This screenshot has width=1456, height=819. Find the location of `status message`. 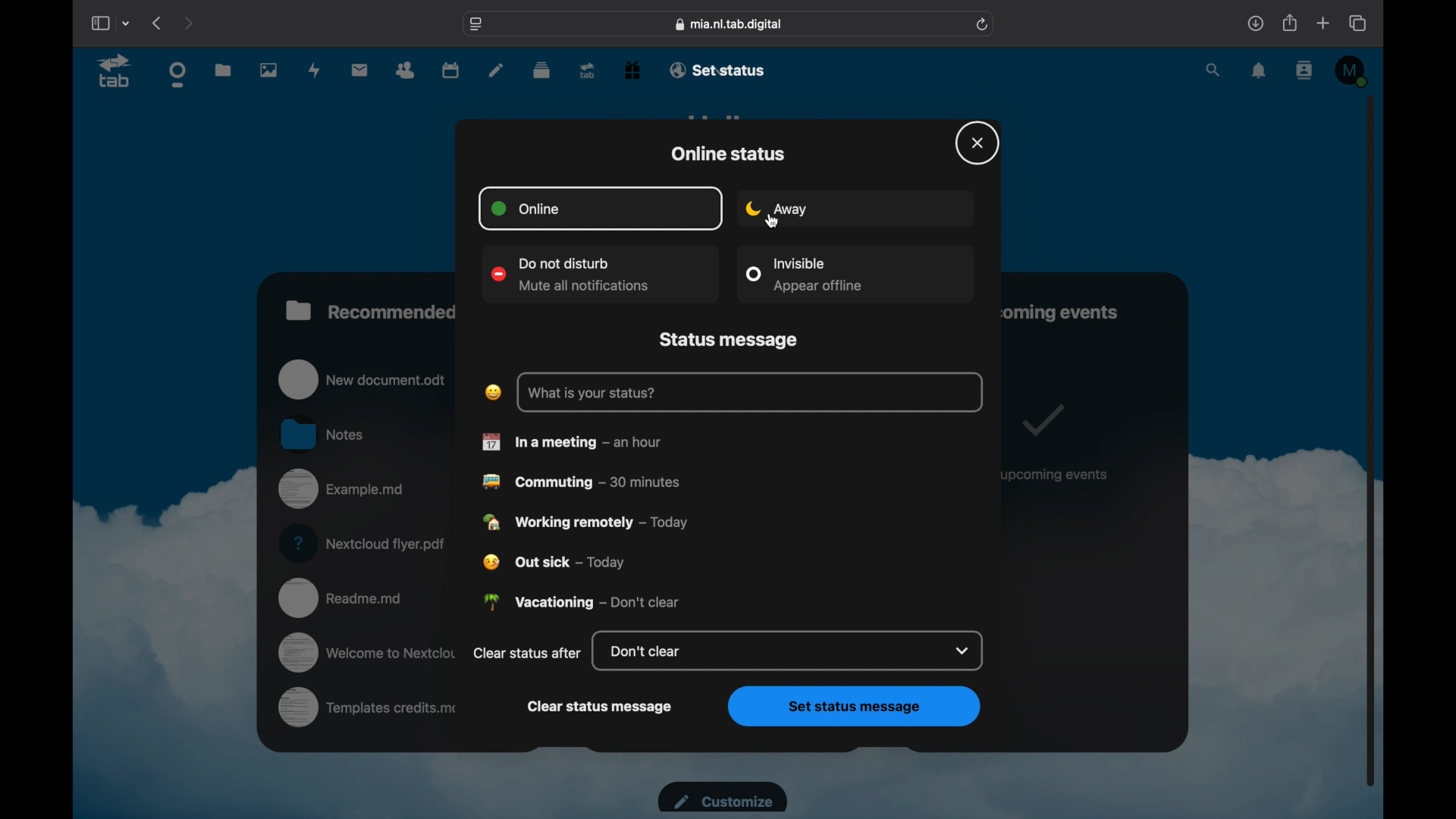

status message is located at coordinates (731, 340).